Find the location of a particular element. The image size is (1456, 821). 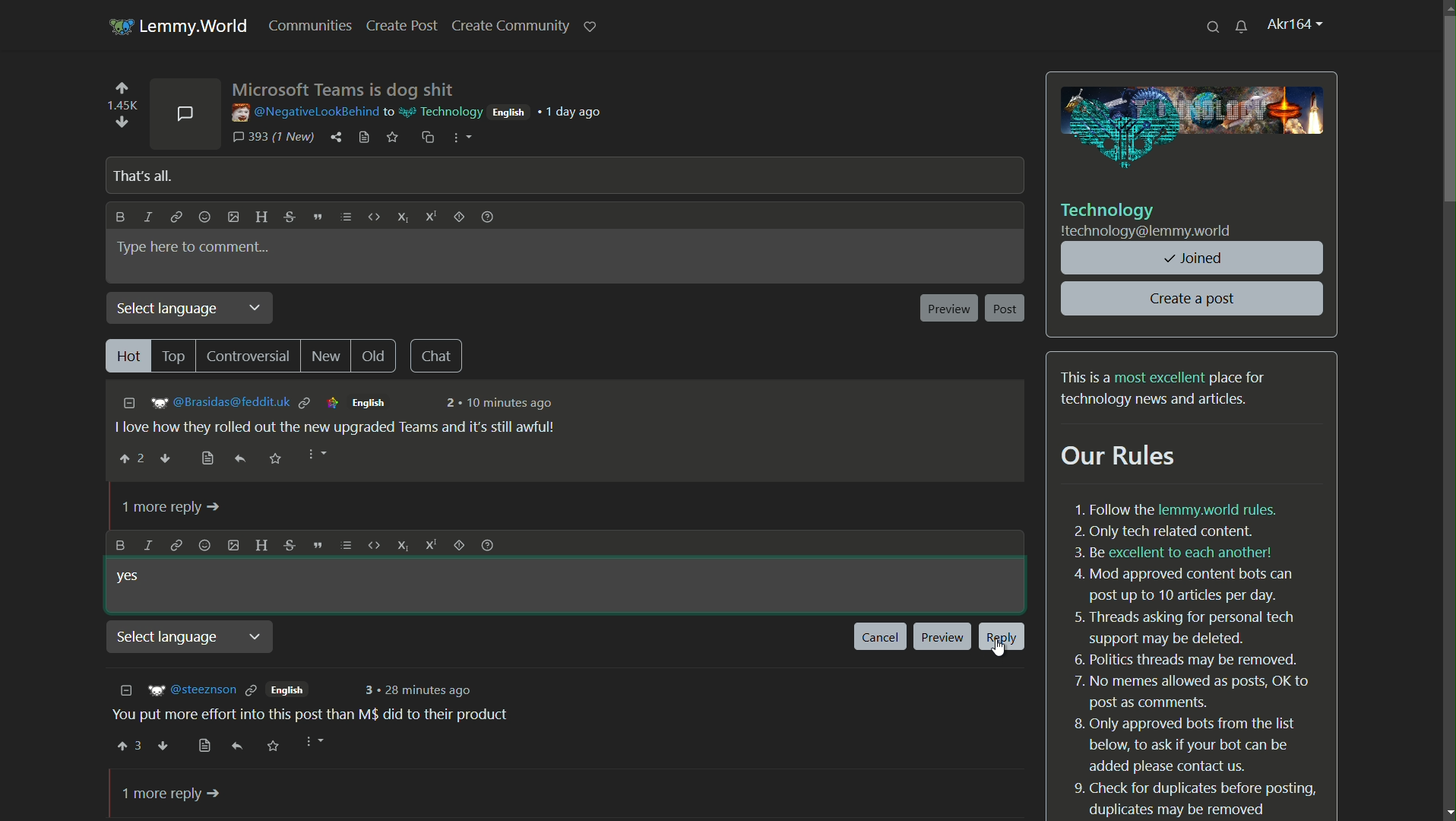

1 day ago is located at coordinates (575, 112).